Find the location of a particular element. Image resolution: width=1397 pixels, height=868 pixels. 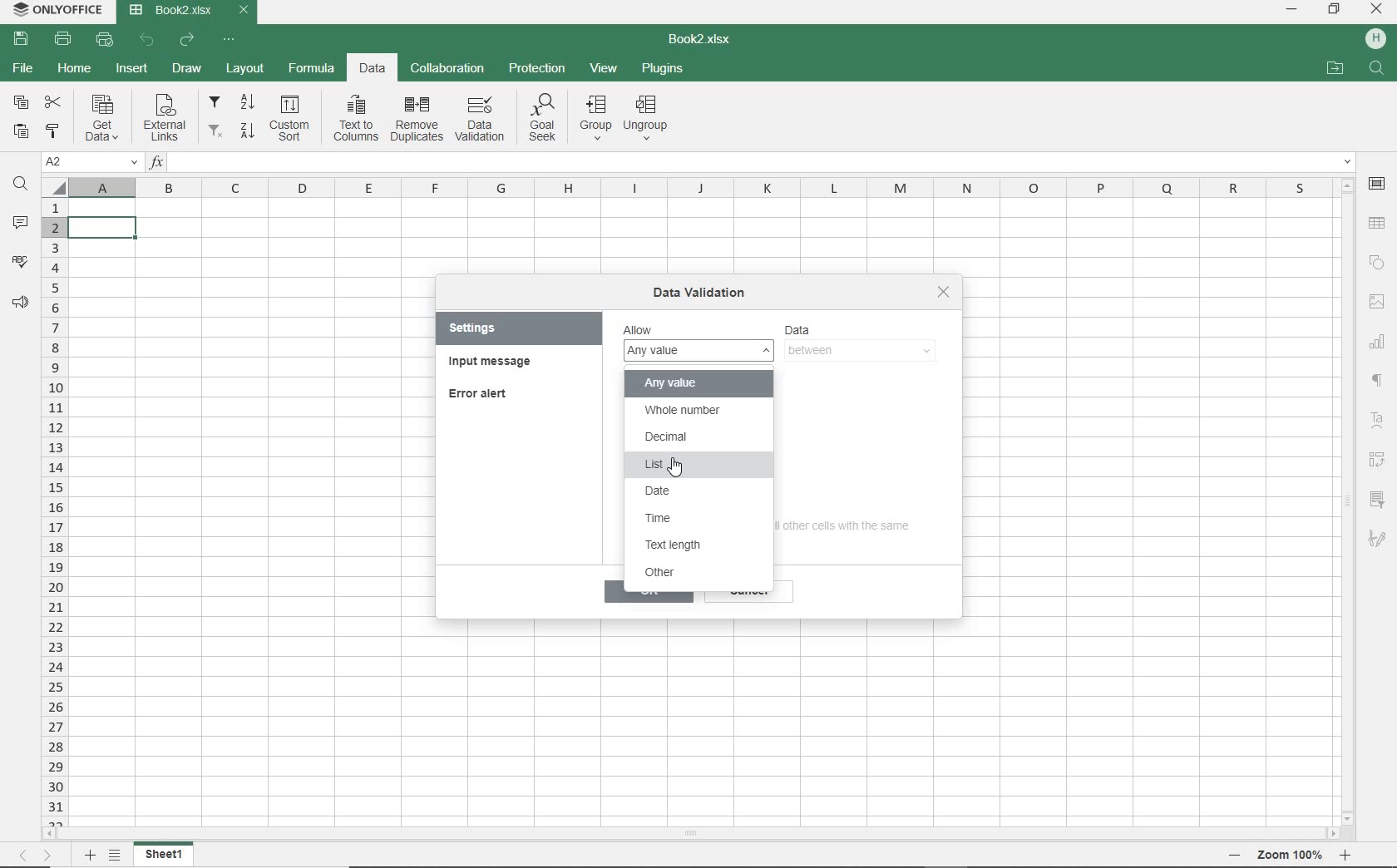

SIGNATURE is located at coordinates (1376, 538).